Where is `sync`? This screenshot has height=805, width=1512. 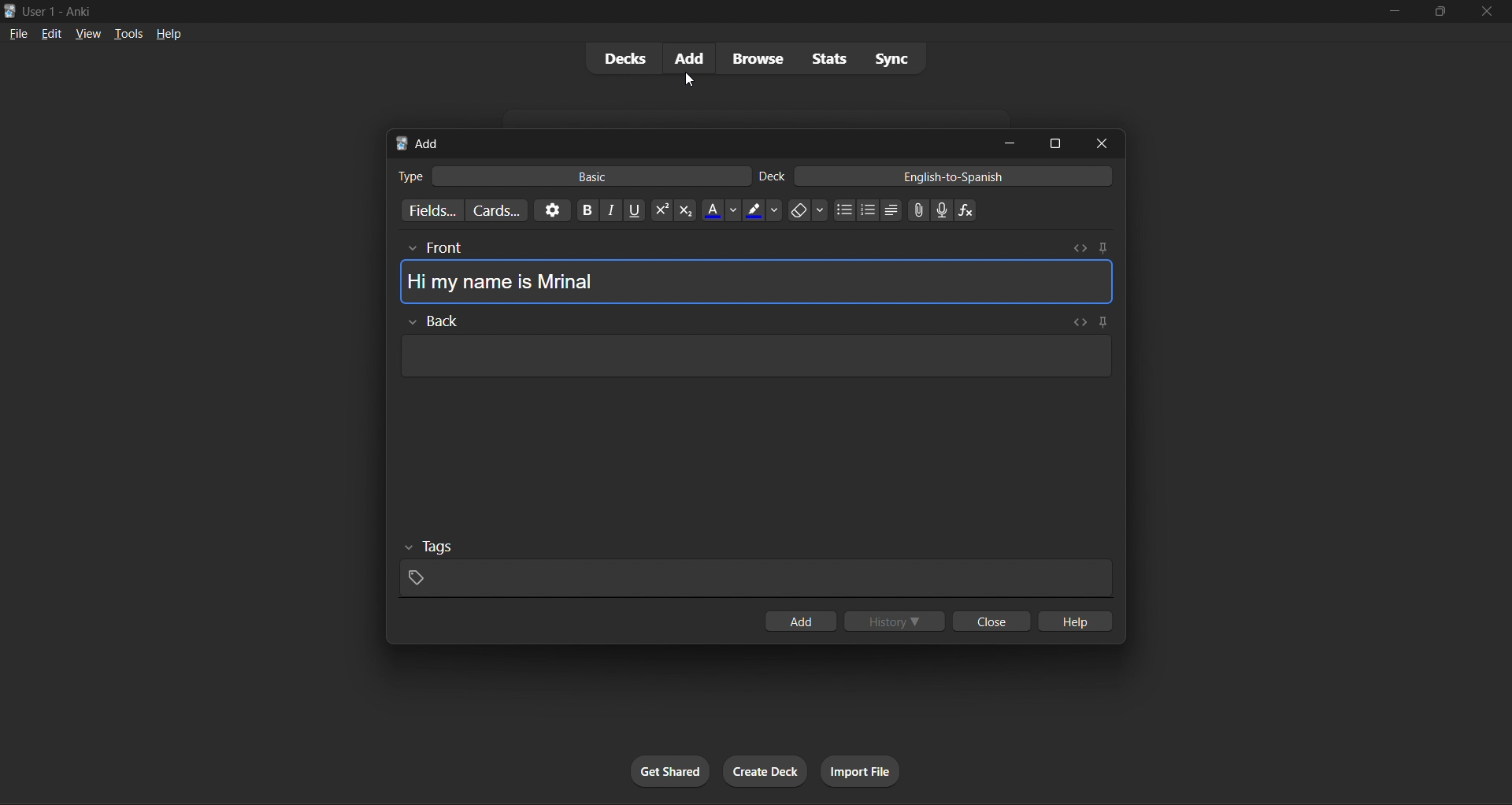 sync is located at coordinates (890, 56).